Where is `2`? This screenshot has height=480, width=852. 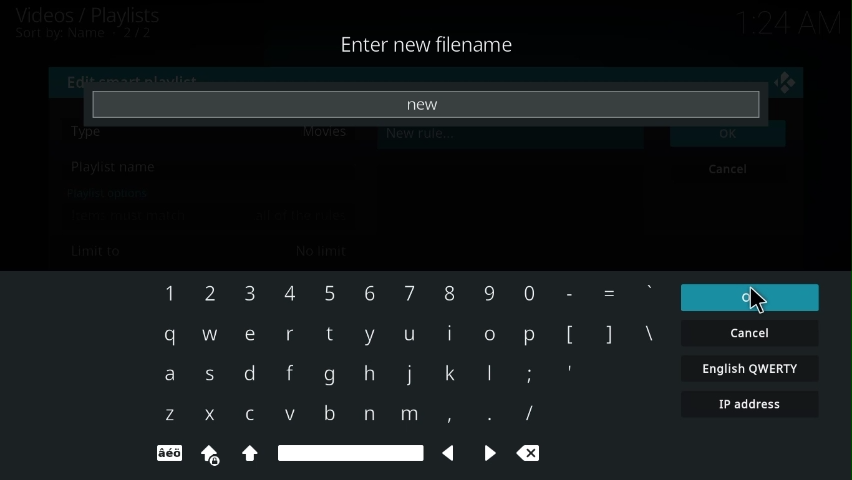 2 is located at coordinates (210, 291).